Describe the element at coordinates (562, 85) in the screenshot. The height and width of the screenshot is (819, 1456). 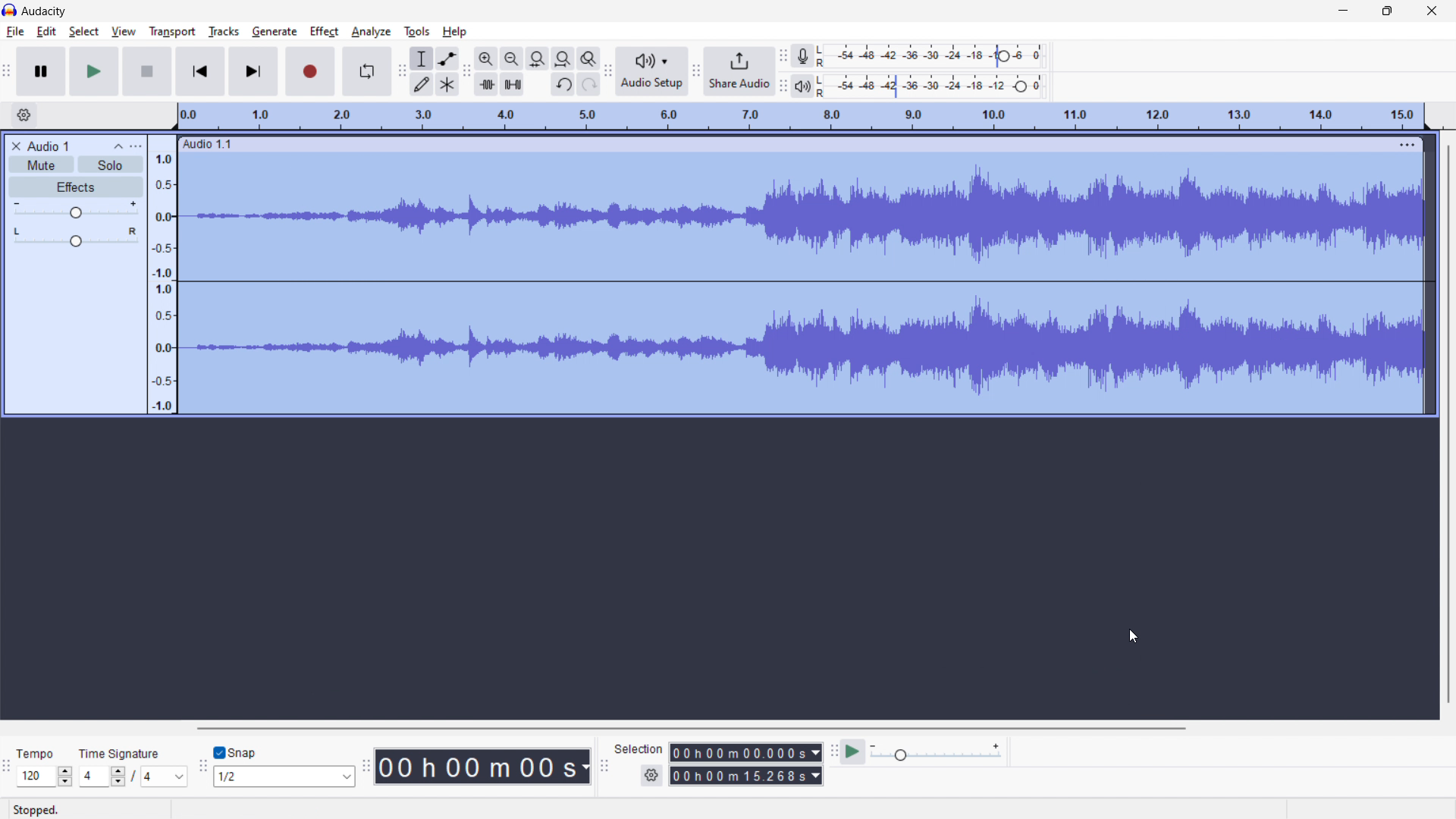
I see `undo` at that location.